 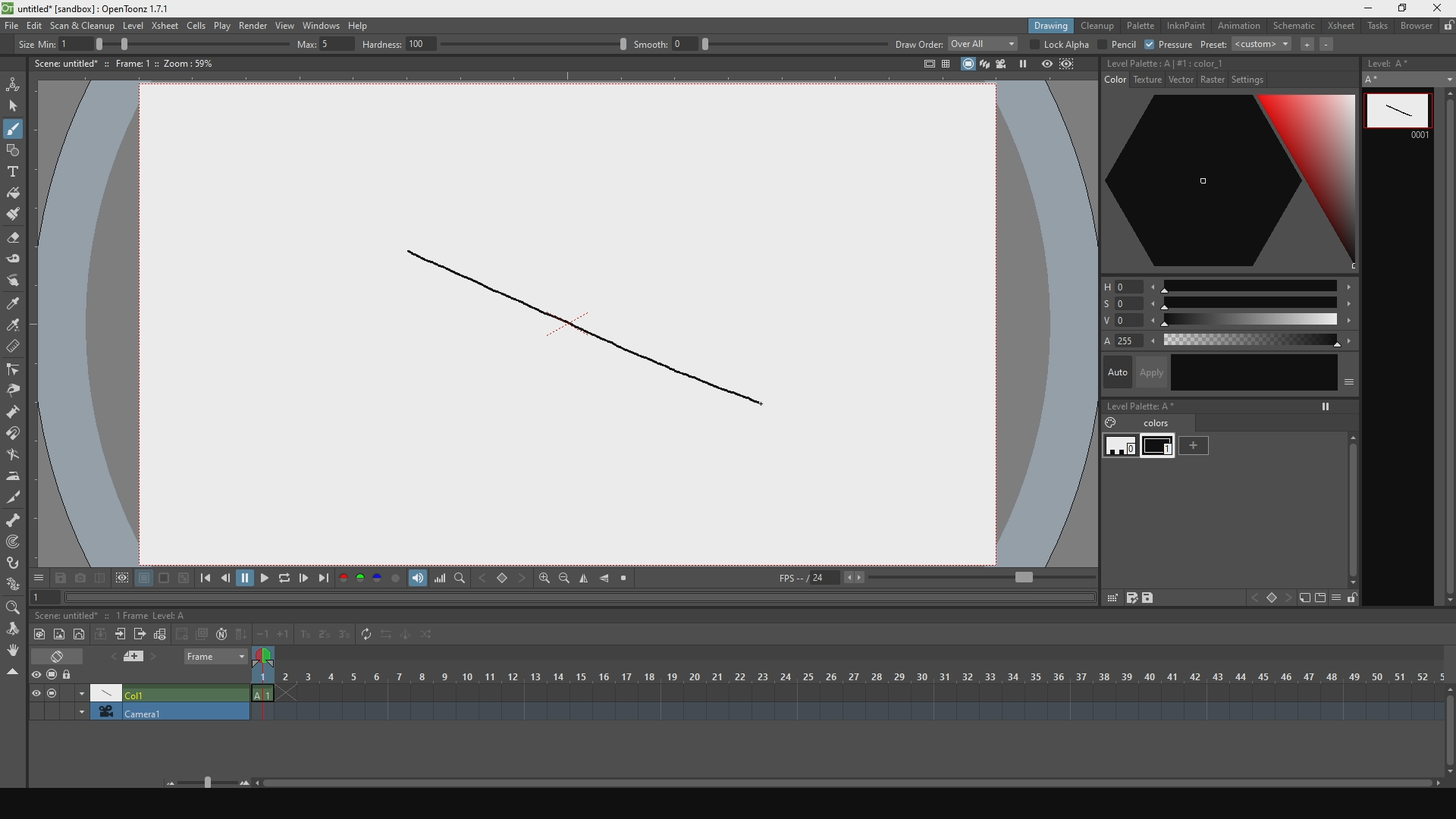 What do you see at coordinates (1170, 45) in the screenshot?
I see `pressure` at bounding box center [1170, 45].